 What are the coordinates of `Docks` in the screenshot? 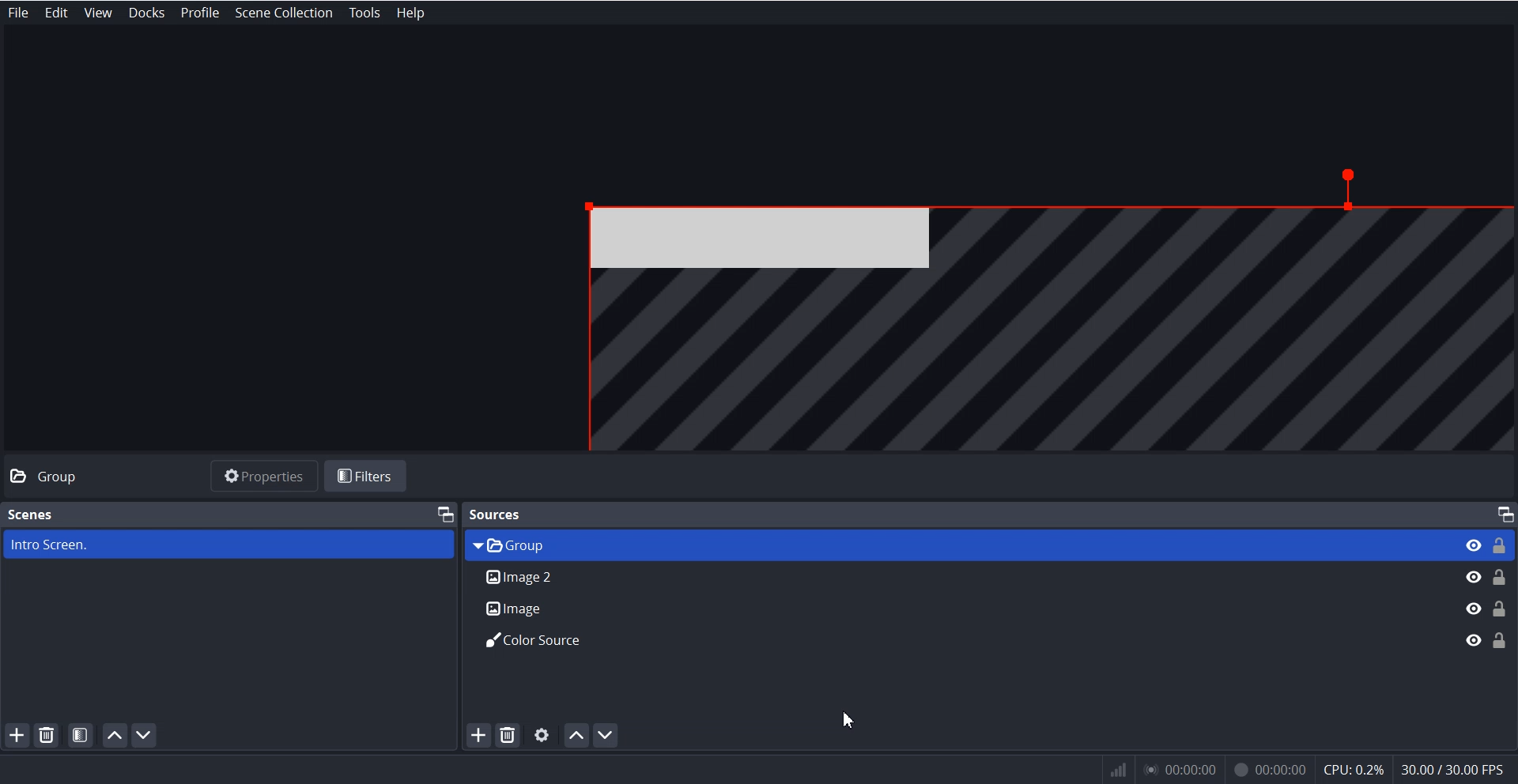 It's located at (147, 13).